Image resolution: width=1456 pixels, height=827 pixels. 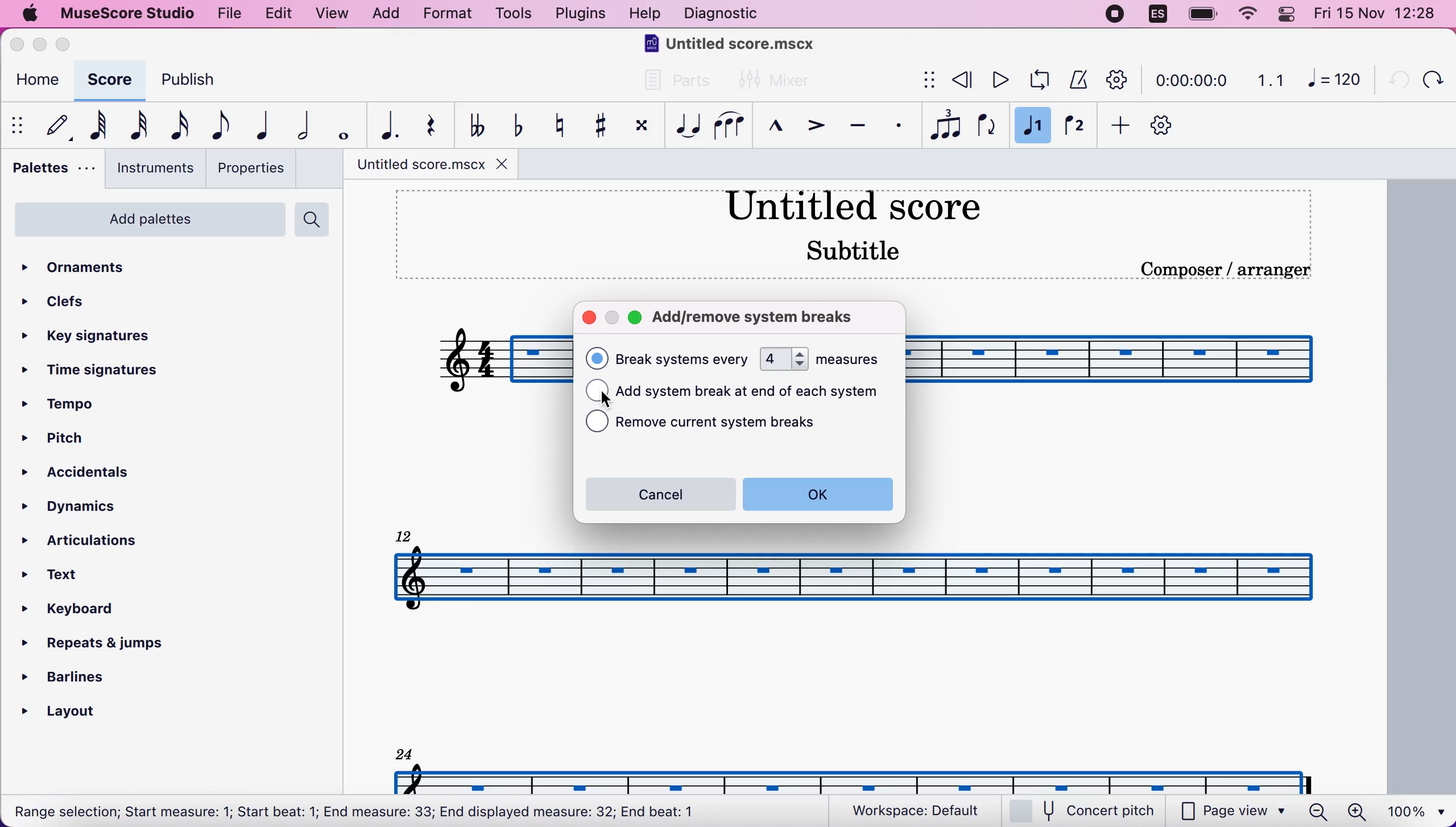 What do you see at coordinates (611, 318) in the screenshot?
I see `minimize` at bounding box center [611, 318].